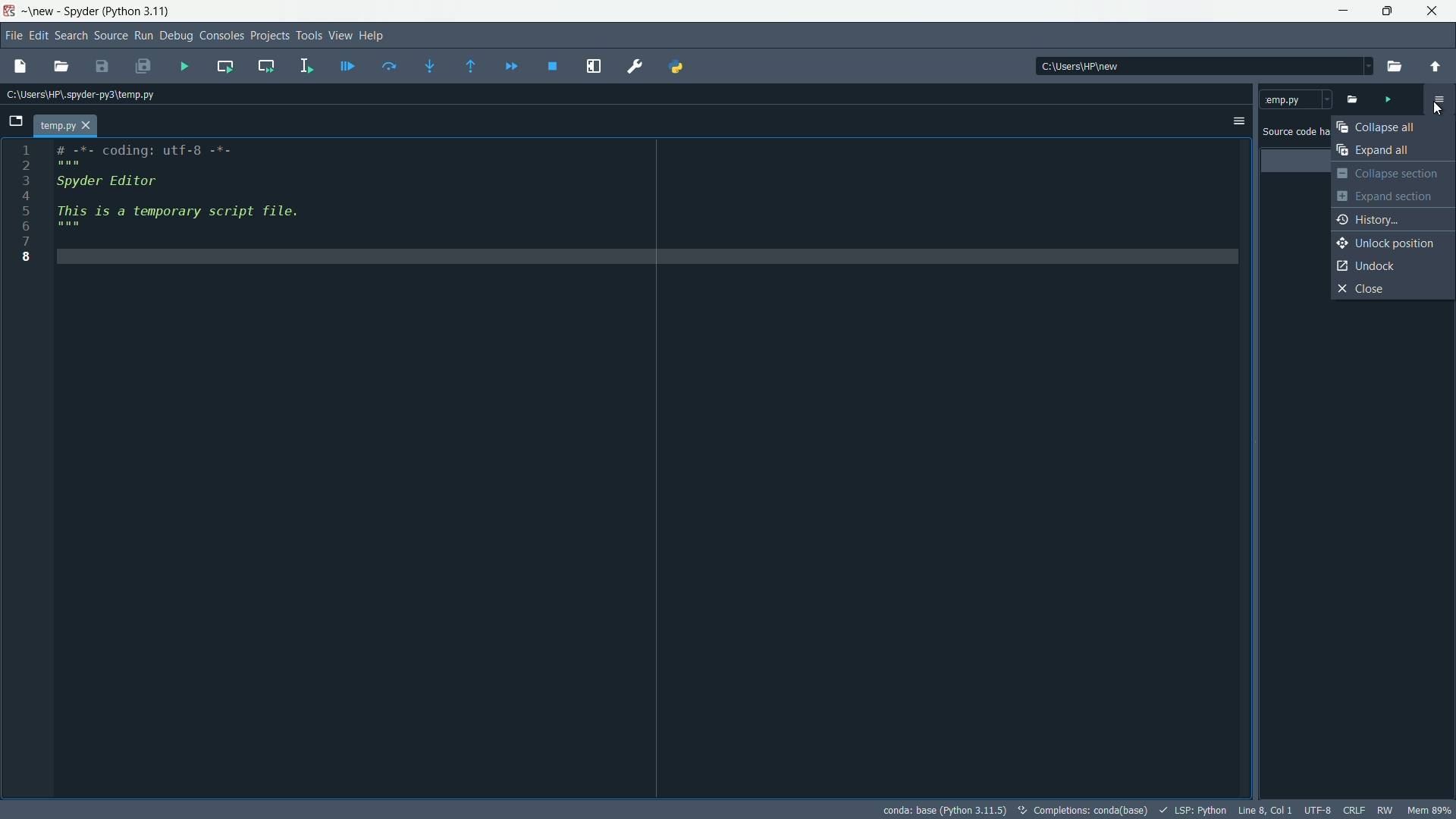  Describe the element at coordinates (15, 121) in the screenshot. I see `browse tabs` at that location.